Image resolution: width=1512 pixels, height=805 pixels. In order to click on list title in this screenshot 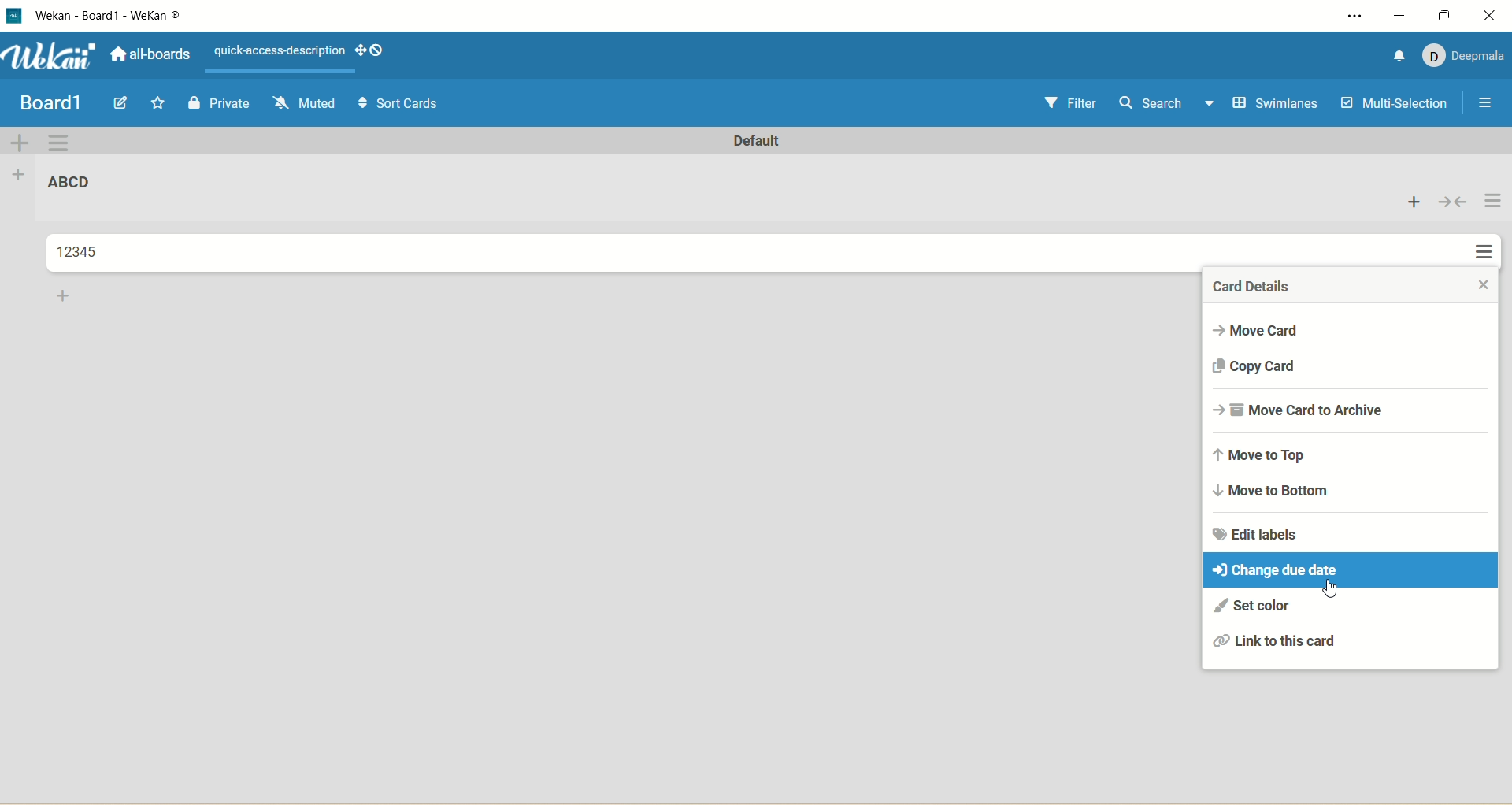, I will do `click(70, 181)`.